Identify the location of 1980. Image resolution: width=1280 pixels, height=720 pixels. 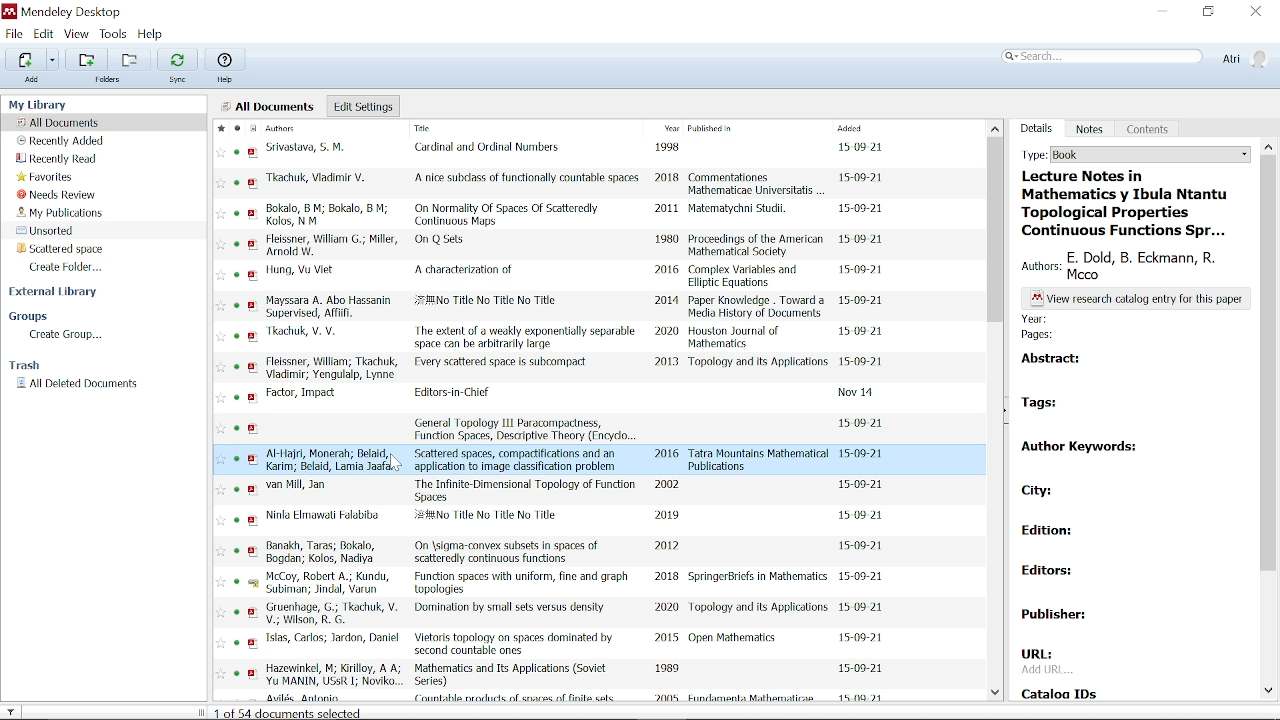
(668, 240).